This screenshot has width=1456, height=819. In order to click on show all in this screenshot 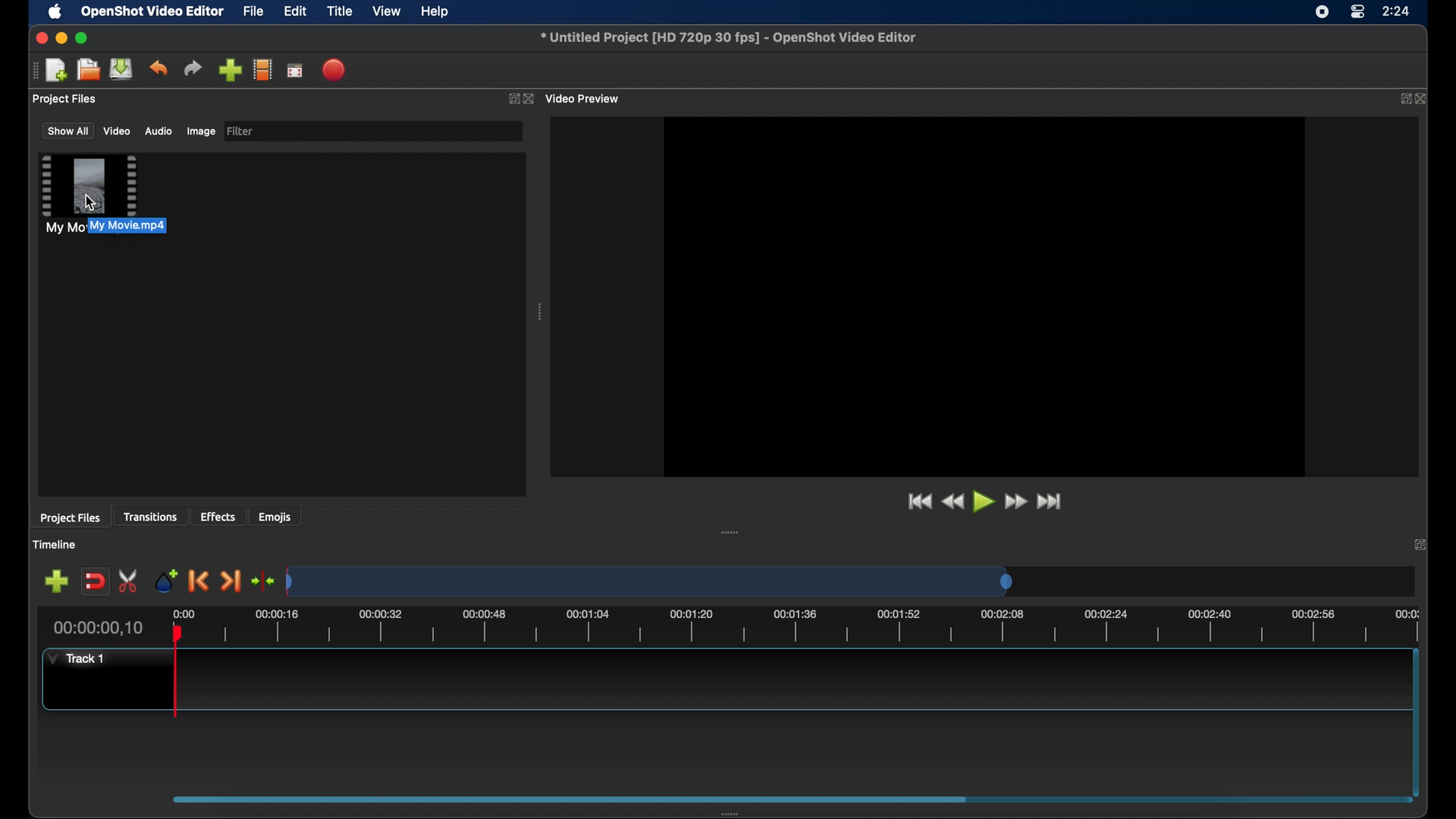, I will do `click(67, 130)`.